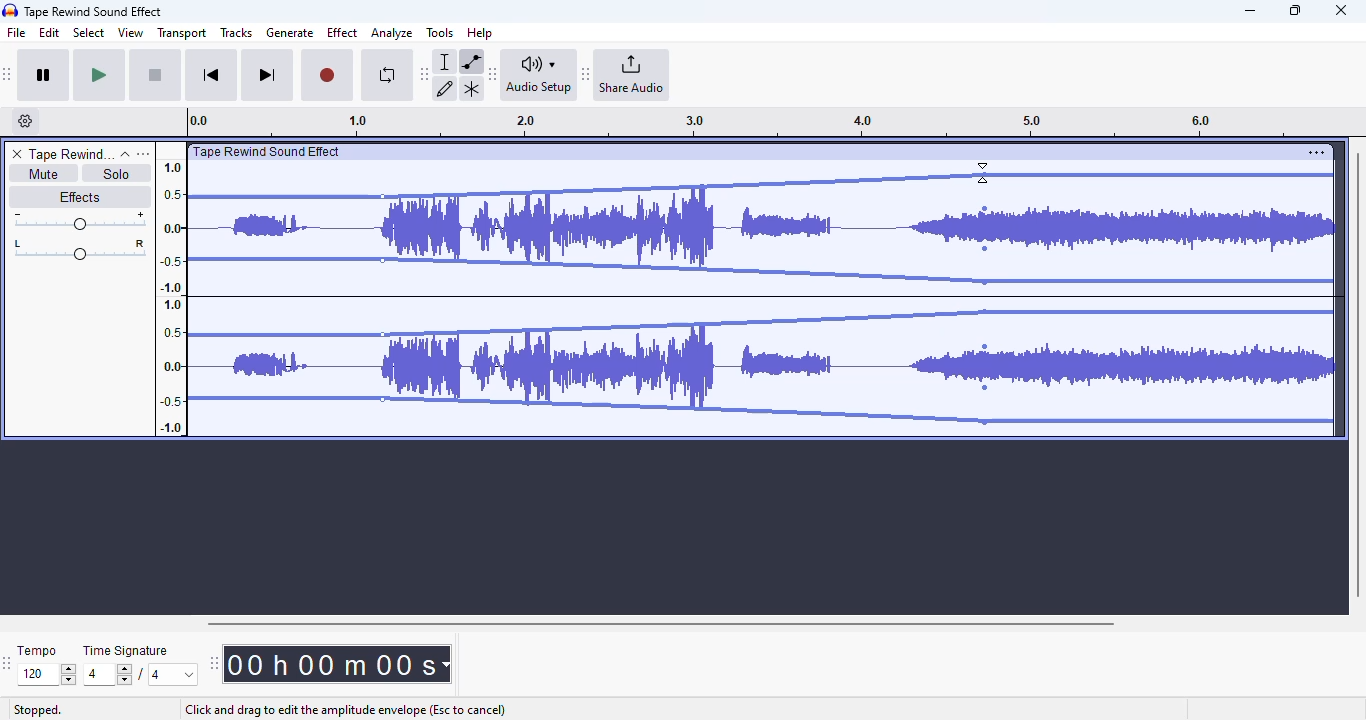 The image size is (1366, 720). I want to click on Time measurement options, so click(445, 664).